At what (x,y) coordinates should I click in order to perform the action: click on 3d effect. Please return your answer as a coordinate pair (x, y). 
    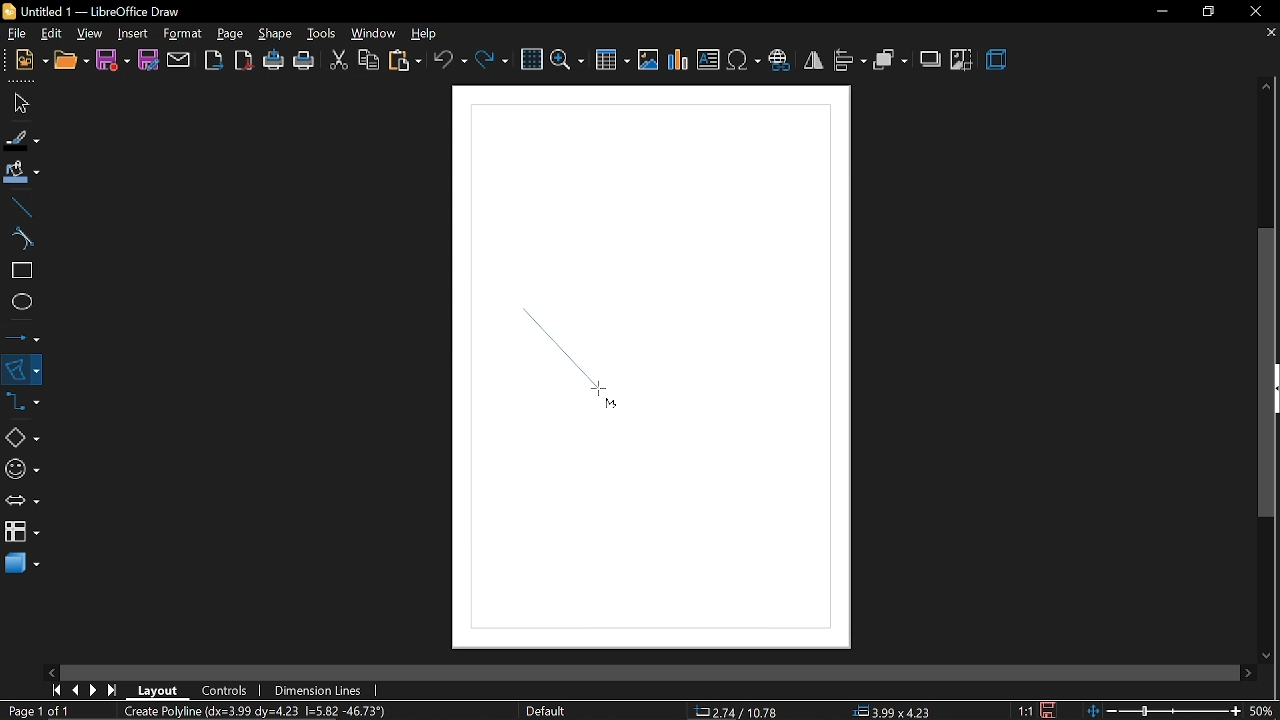
    Looking at the image, I should click on (997, 60).